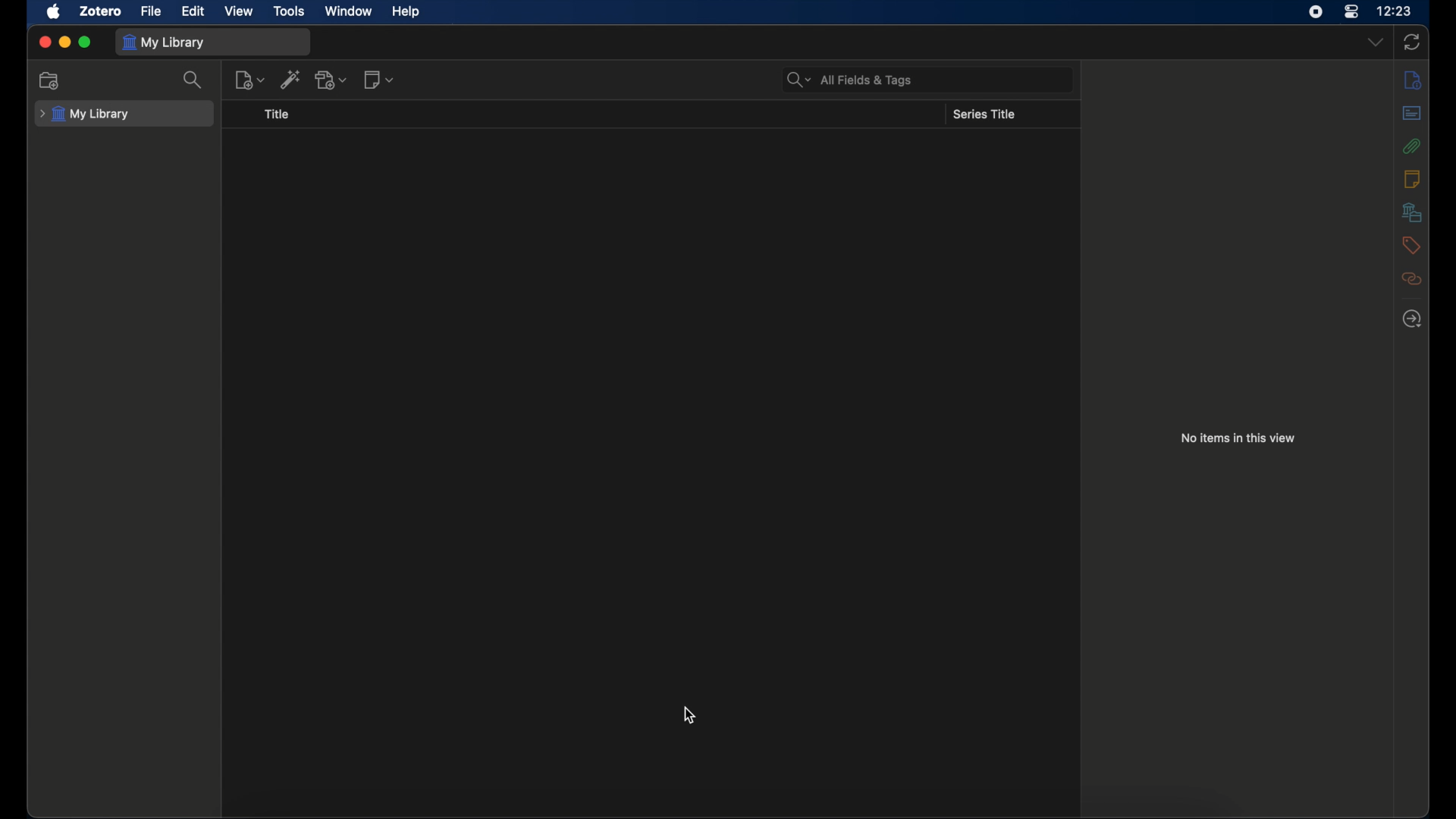 This screenshot has width=1456, height=819. What do you see at coordinates (1412, 278) in the screenshot?
I see `related` at bounding box center [1412, 278].